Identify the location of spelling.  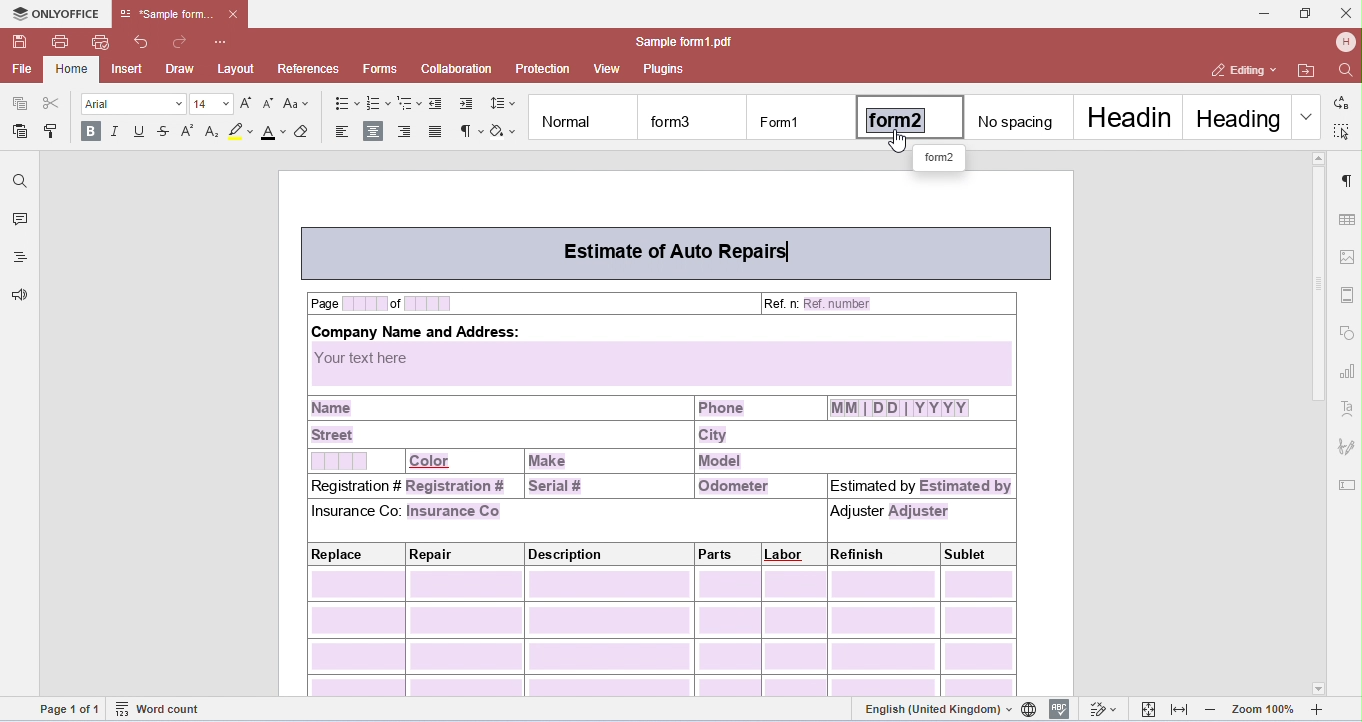
(1061, 708).